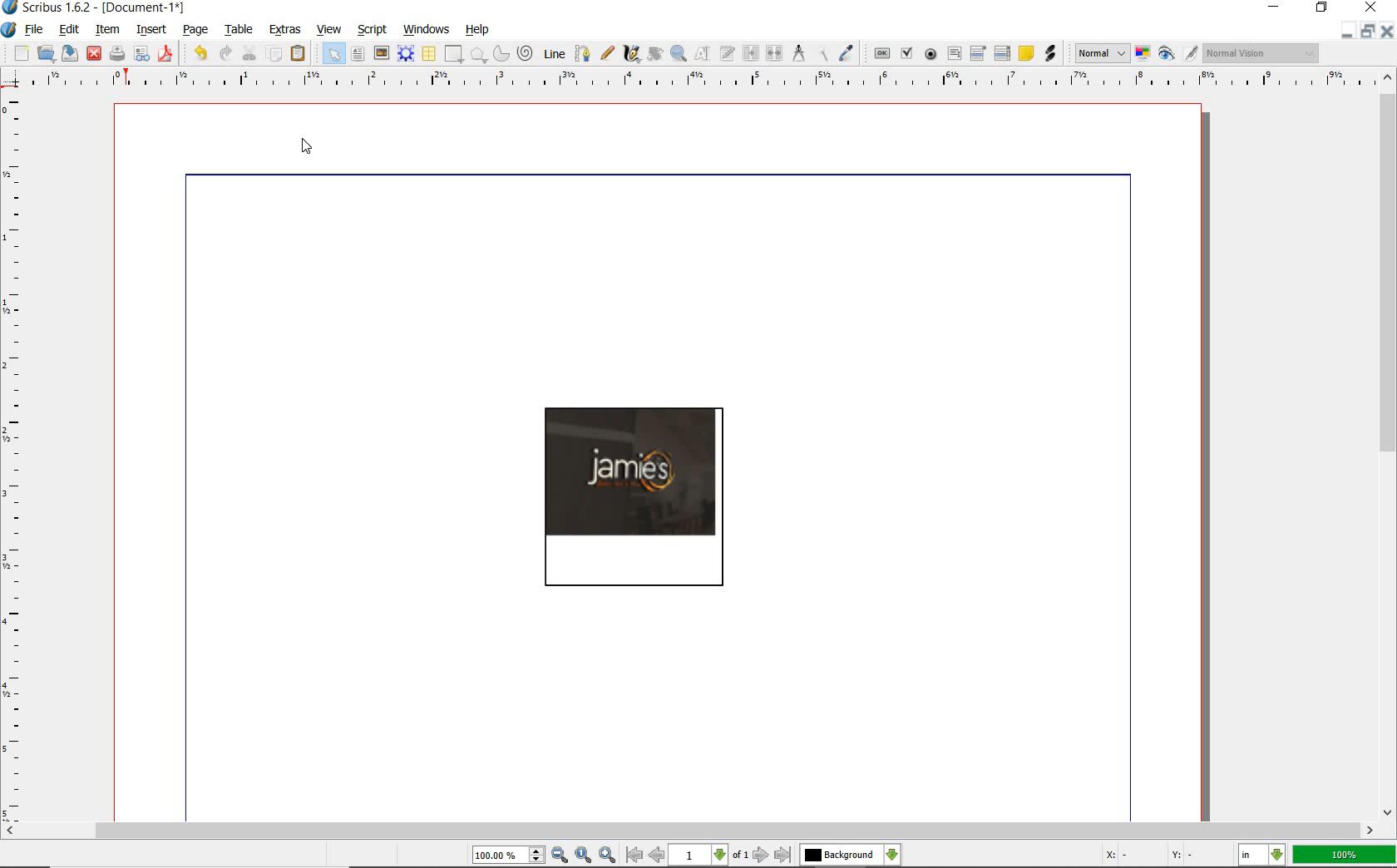 This screenshot has width=1397, height=868. Describe the element at coordinates (658, 857) in the screenshot. I see `Previous Page` at that location.